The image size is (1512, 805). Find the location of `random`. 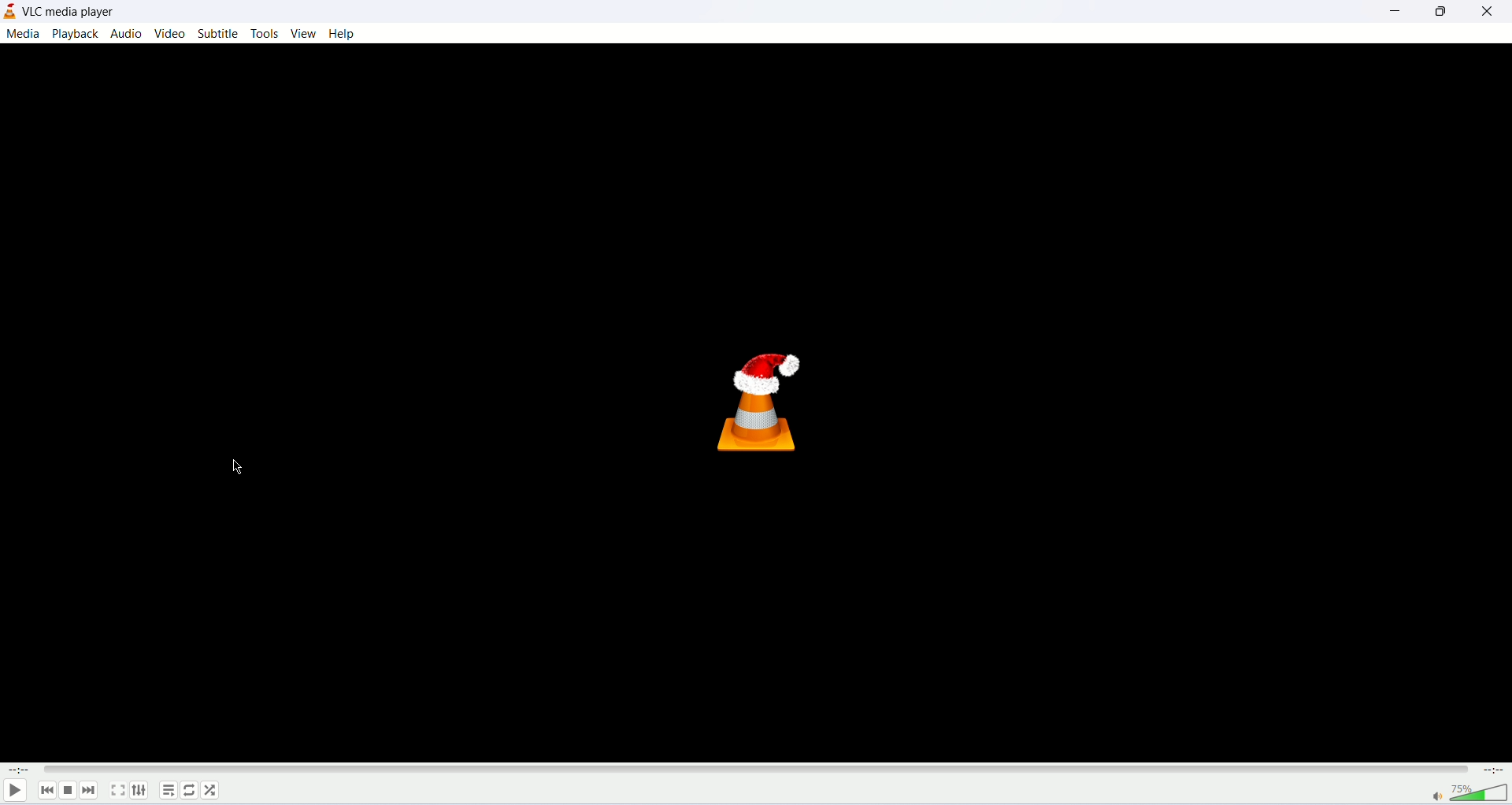

random is located at coordinates (210, 789).